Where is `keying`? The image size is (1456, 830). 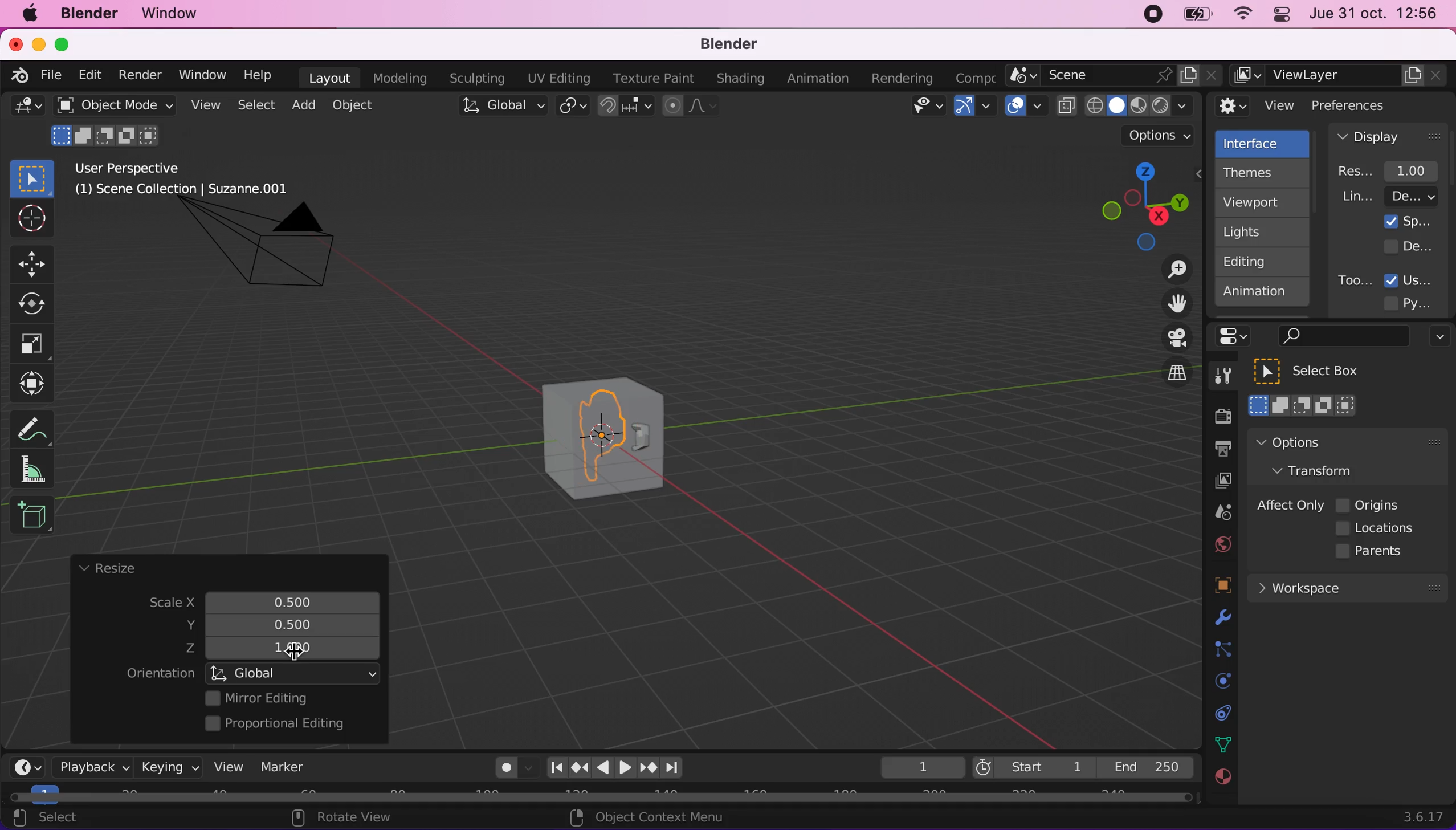
keying is located at coordinates (168, 767).